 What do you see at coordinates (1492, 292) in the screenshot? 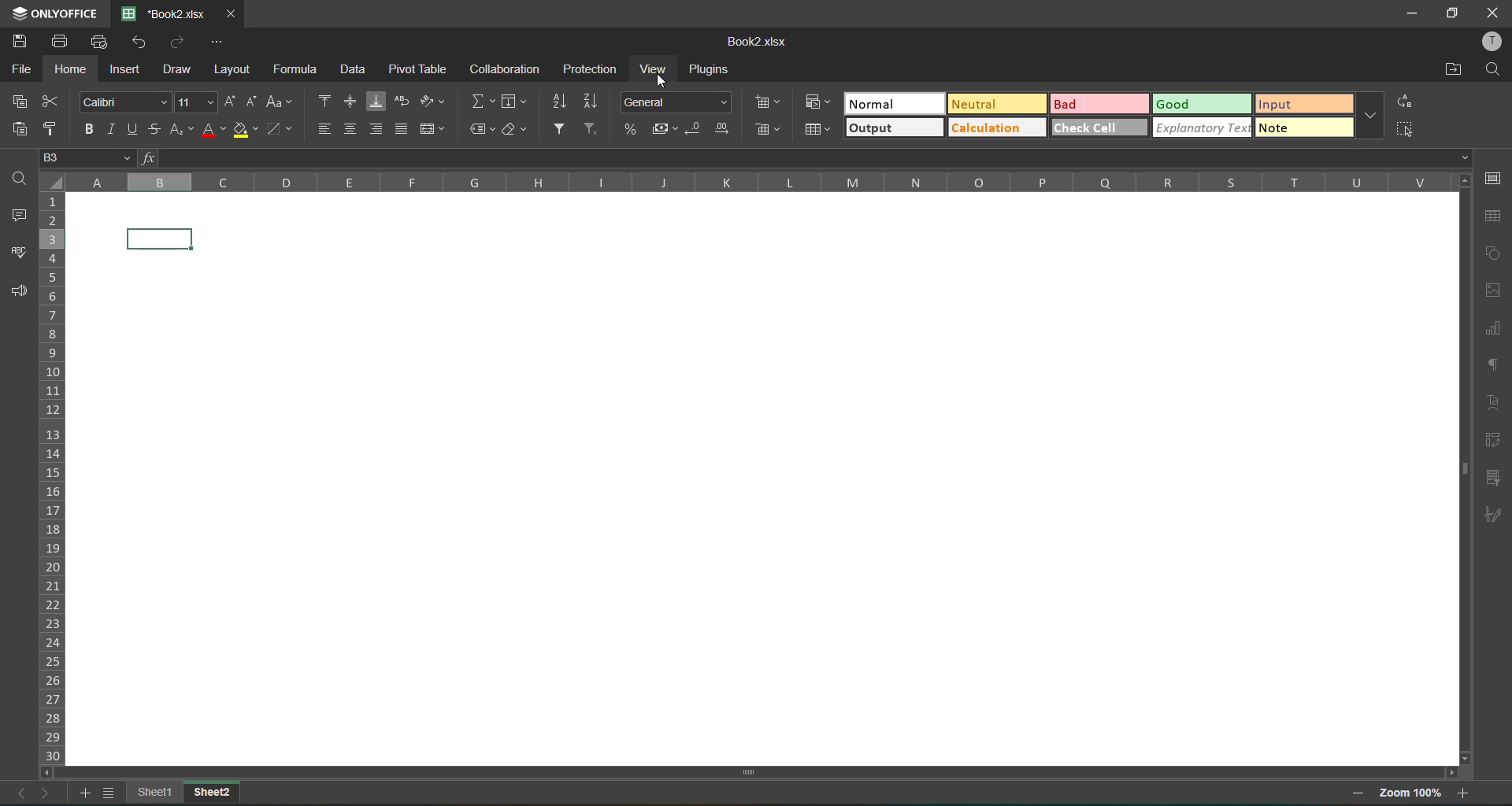
I see `images` at bounding box center [1492, 292].